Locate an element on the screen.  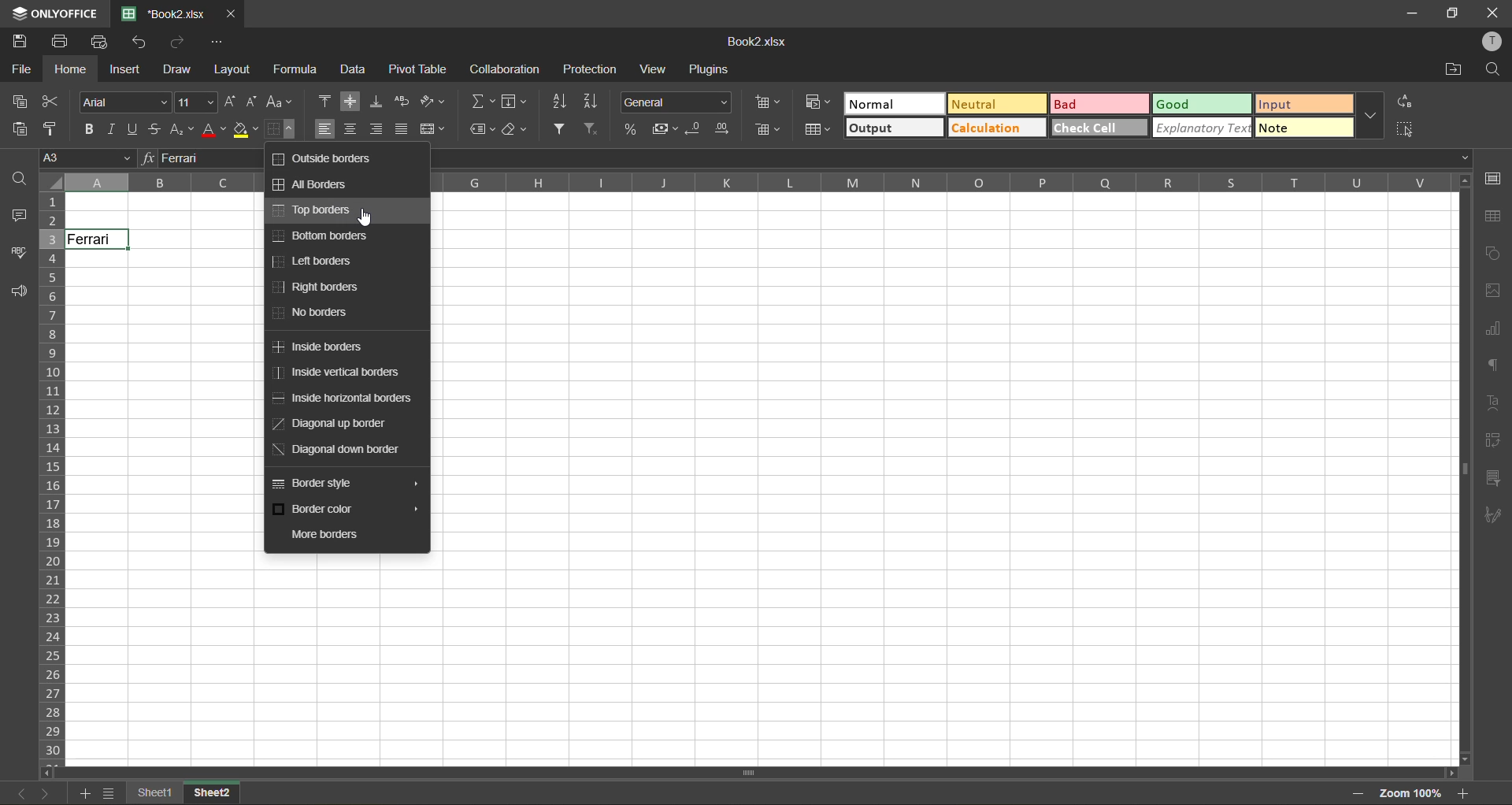
replace is located at coordinates (1405, 103).